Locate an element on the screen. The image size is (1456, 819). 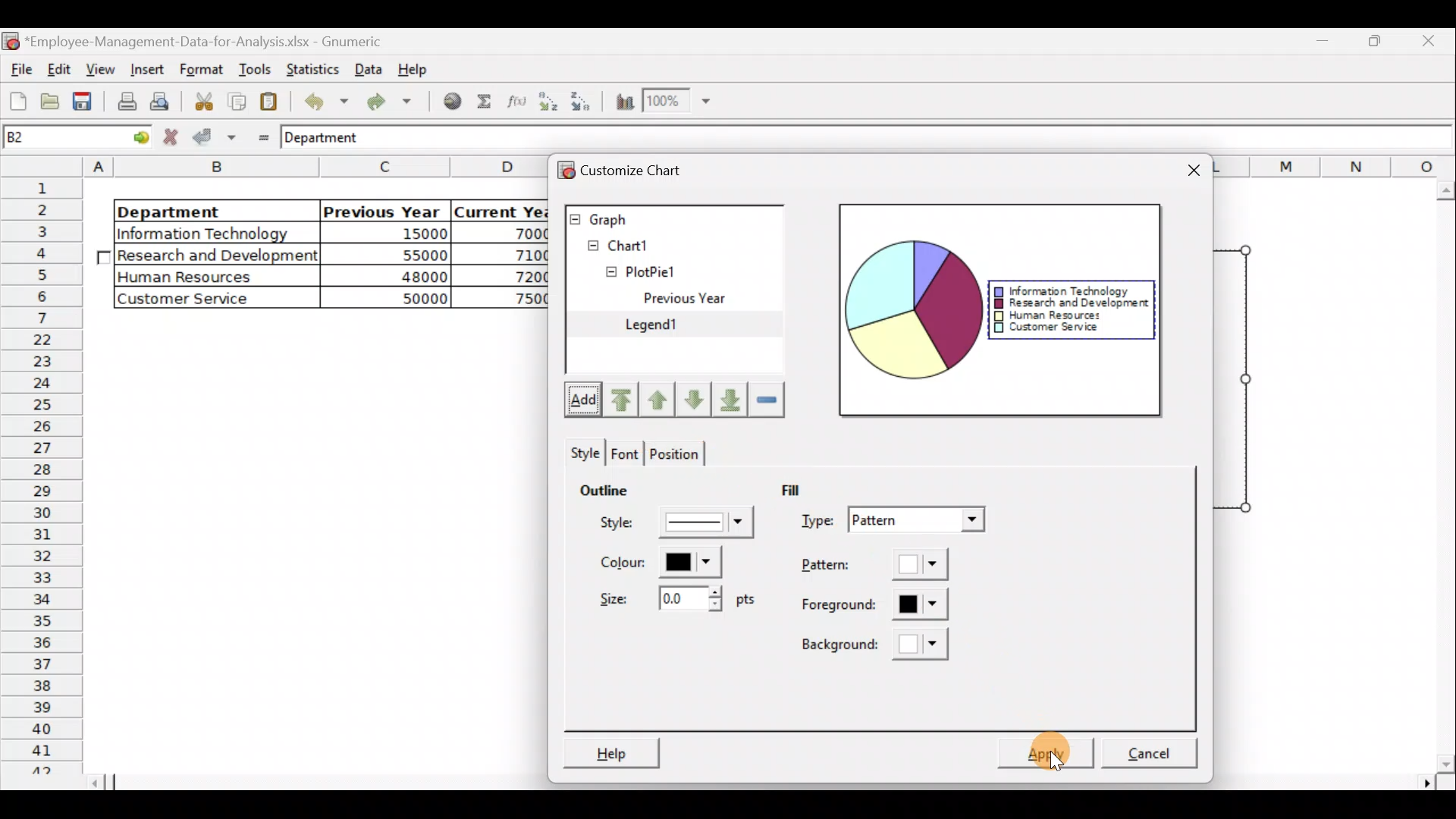
Insert is located at coordinates (146, 68).